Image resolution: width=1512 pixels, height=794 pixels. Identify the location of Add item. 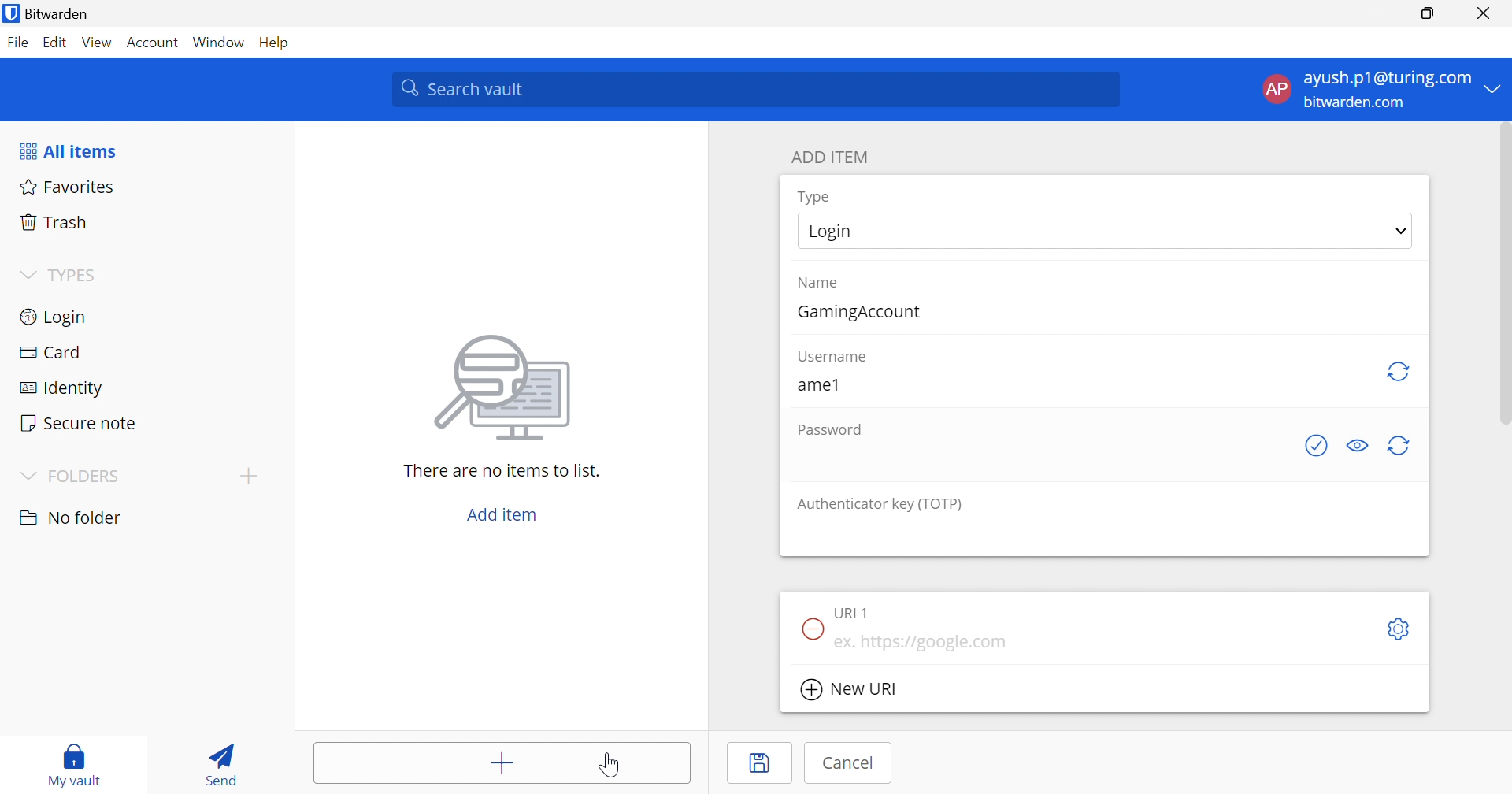
(498, 514).